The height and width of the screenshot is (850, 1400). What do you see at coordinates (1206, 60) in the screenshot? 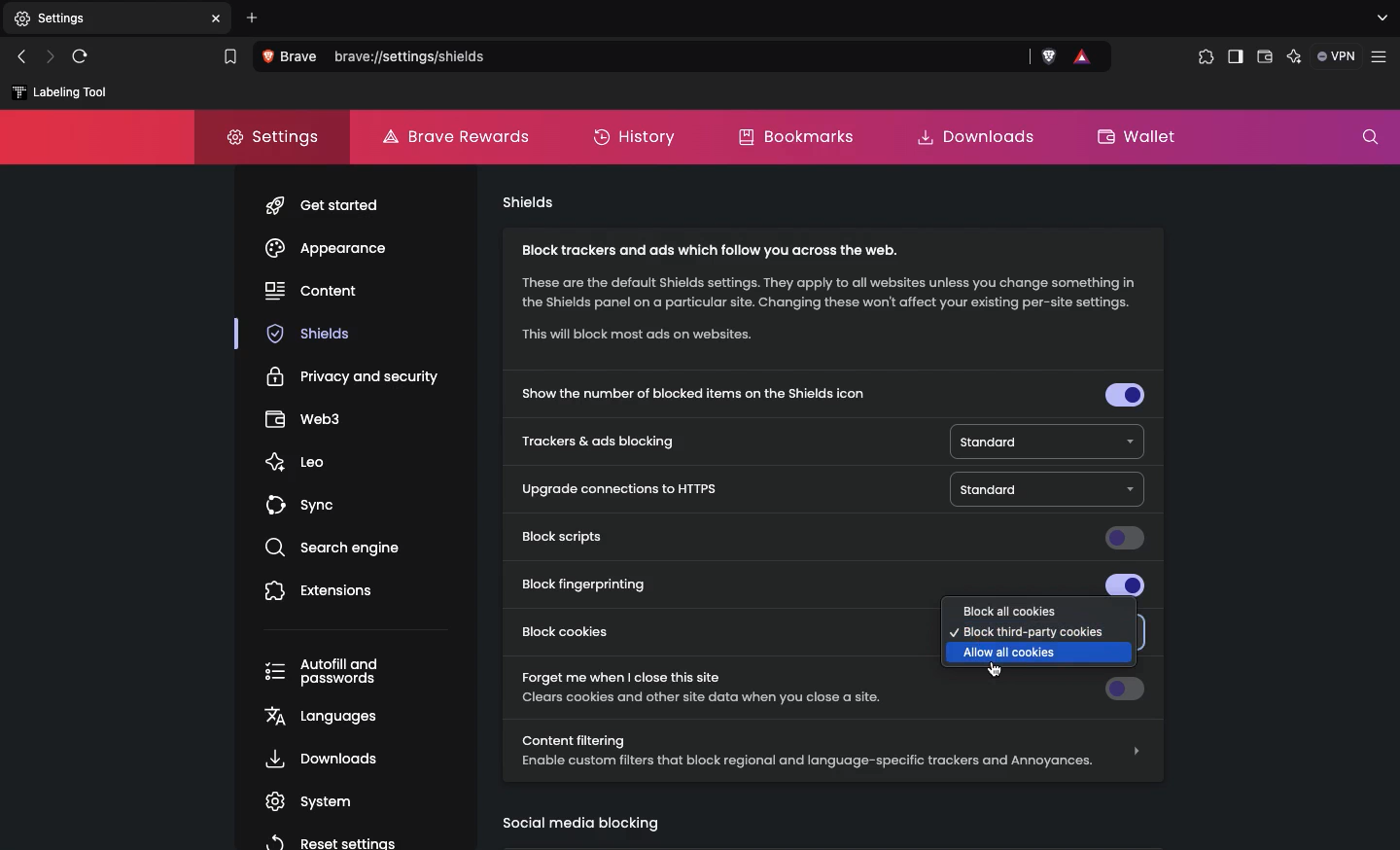
I see `Extensions` at bounding box center [1206, 60].